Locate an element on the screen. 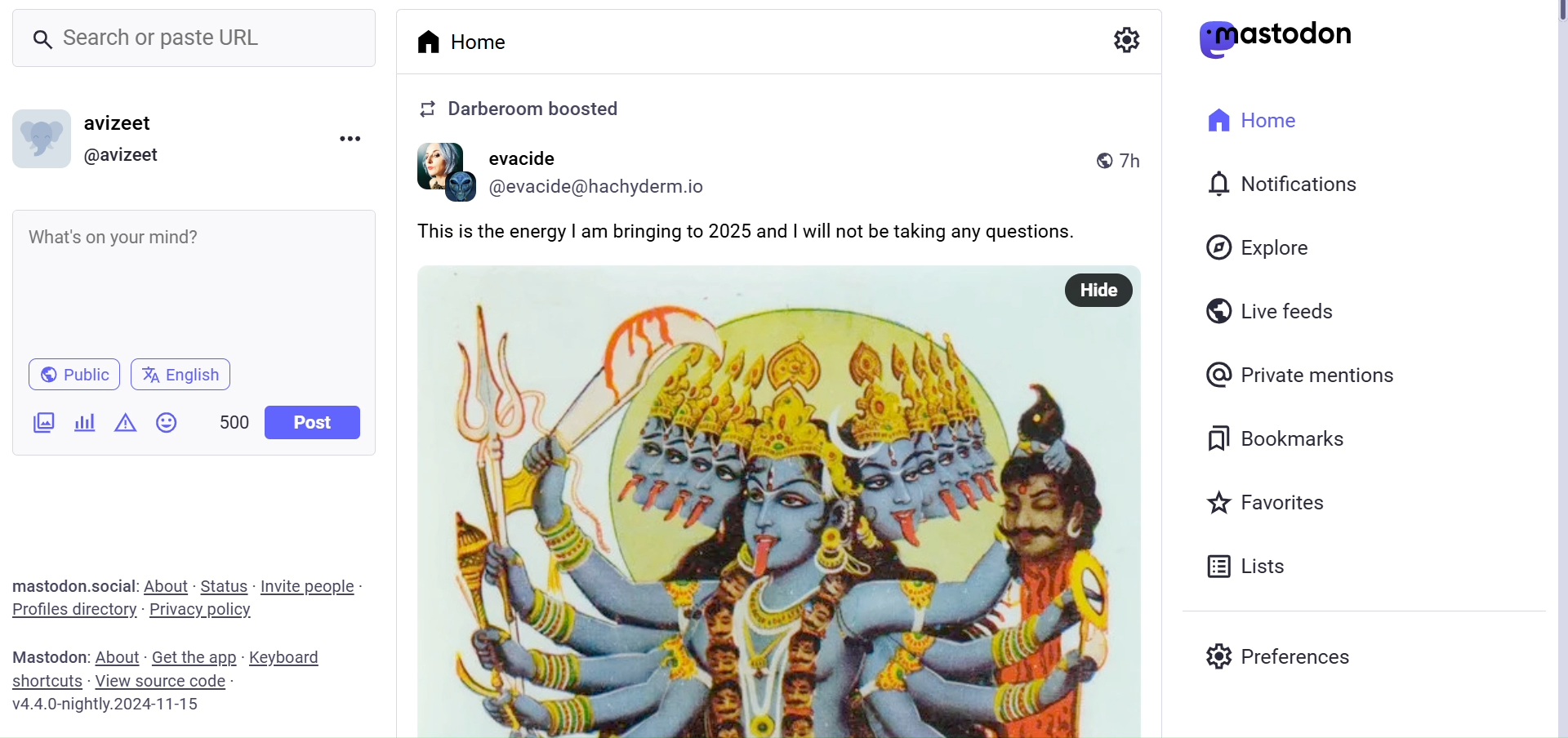 This screenshot has height=738, width=1568. Text is located at coordinates (78, 585).